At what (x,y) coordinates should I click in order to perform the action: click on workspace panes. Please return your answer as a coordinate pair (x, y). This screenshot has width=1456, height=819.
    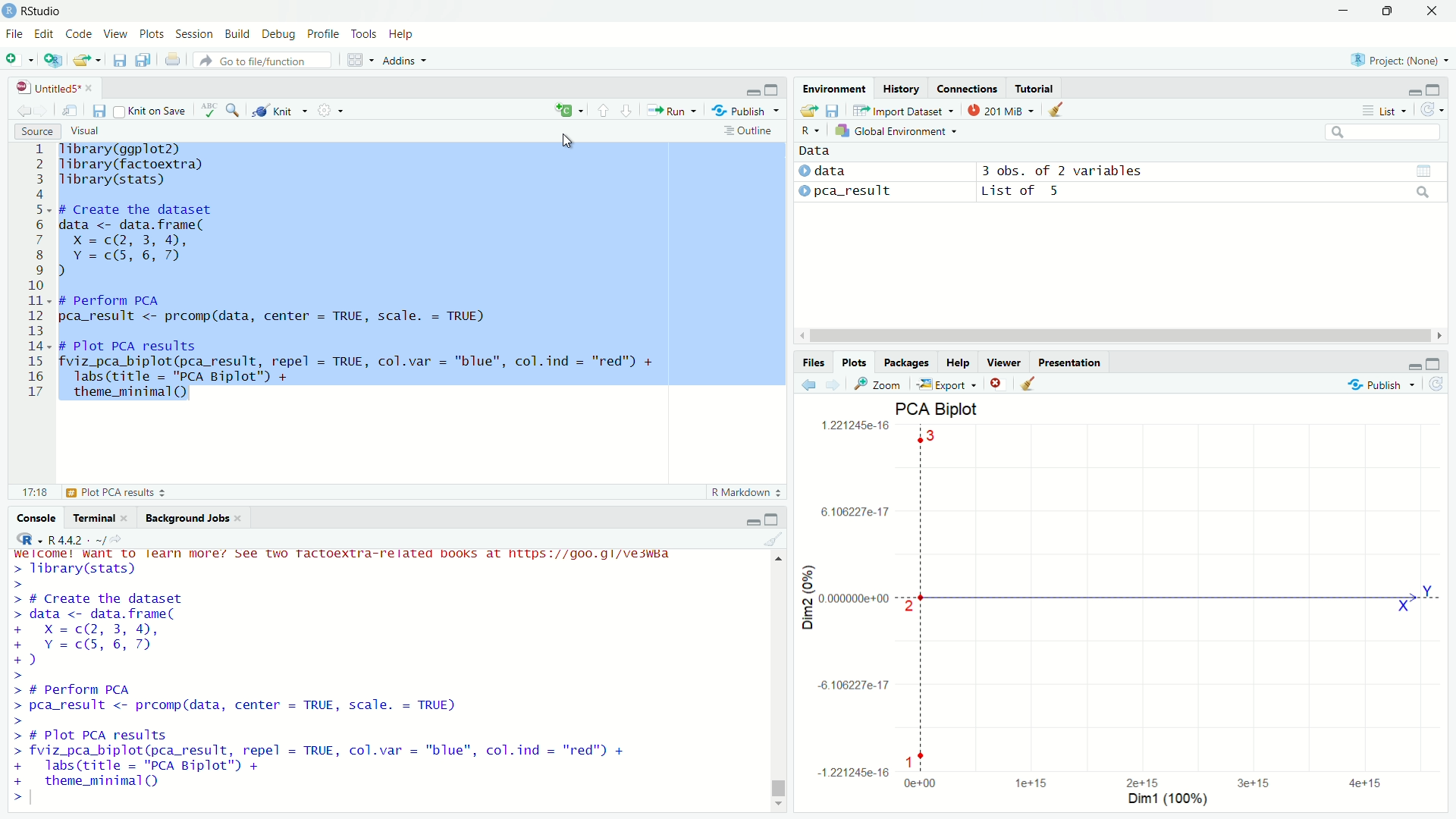
    Looking at the image, I should click on (357, 60).